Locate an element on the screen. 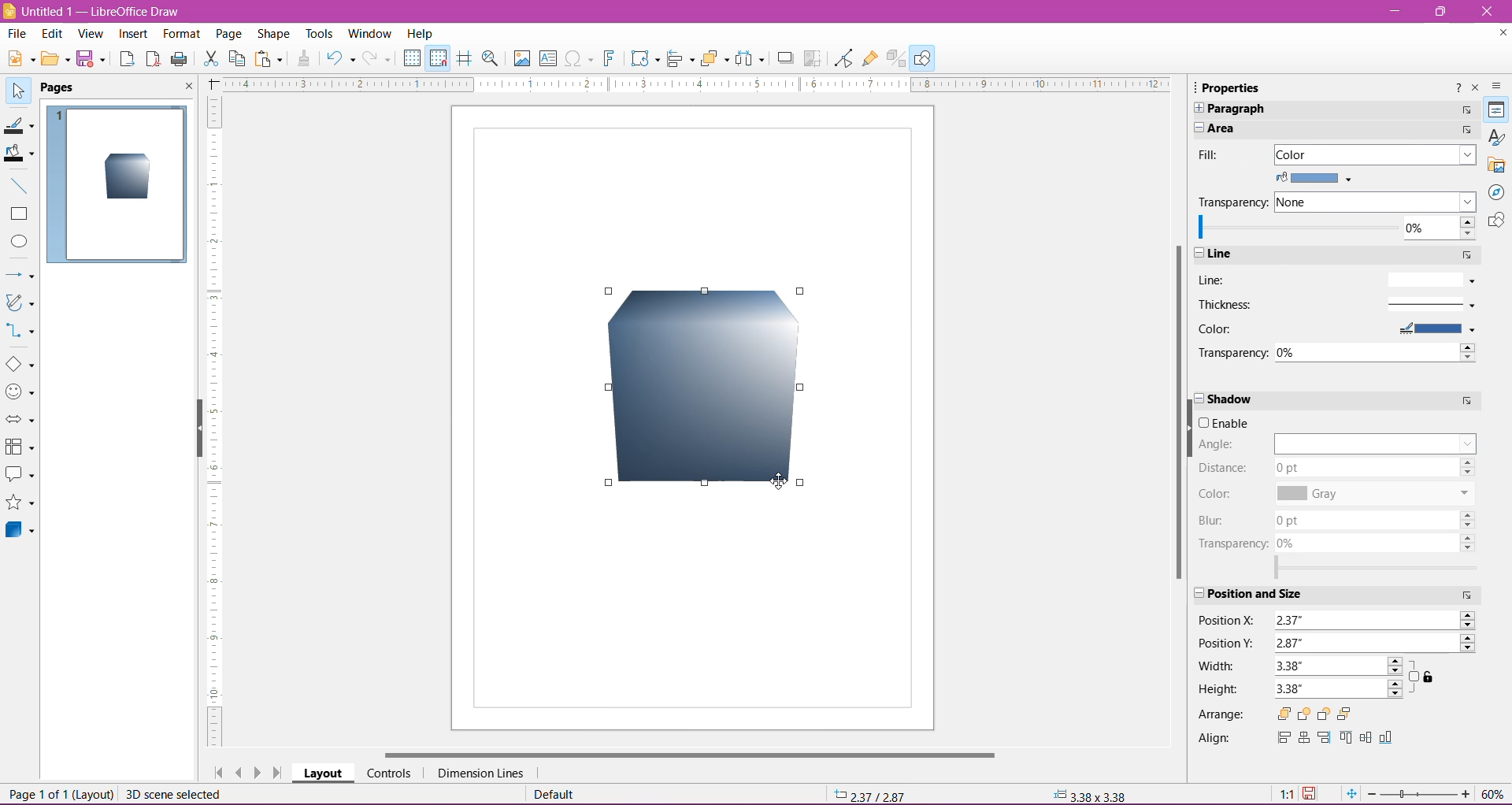 The width and height of the screenshot is (1512, 805). Display Grid is located at coordinates (412, 58).